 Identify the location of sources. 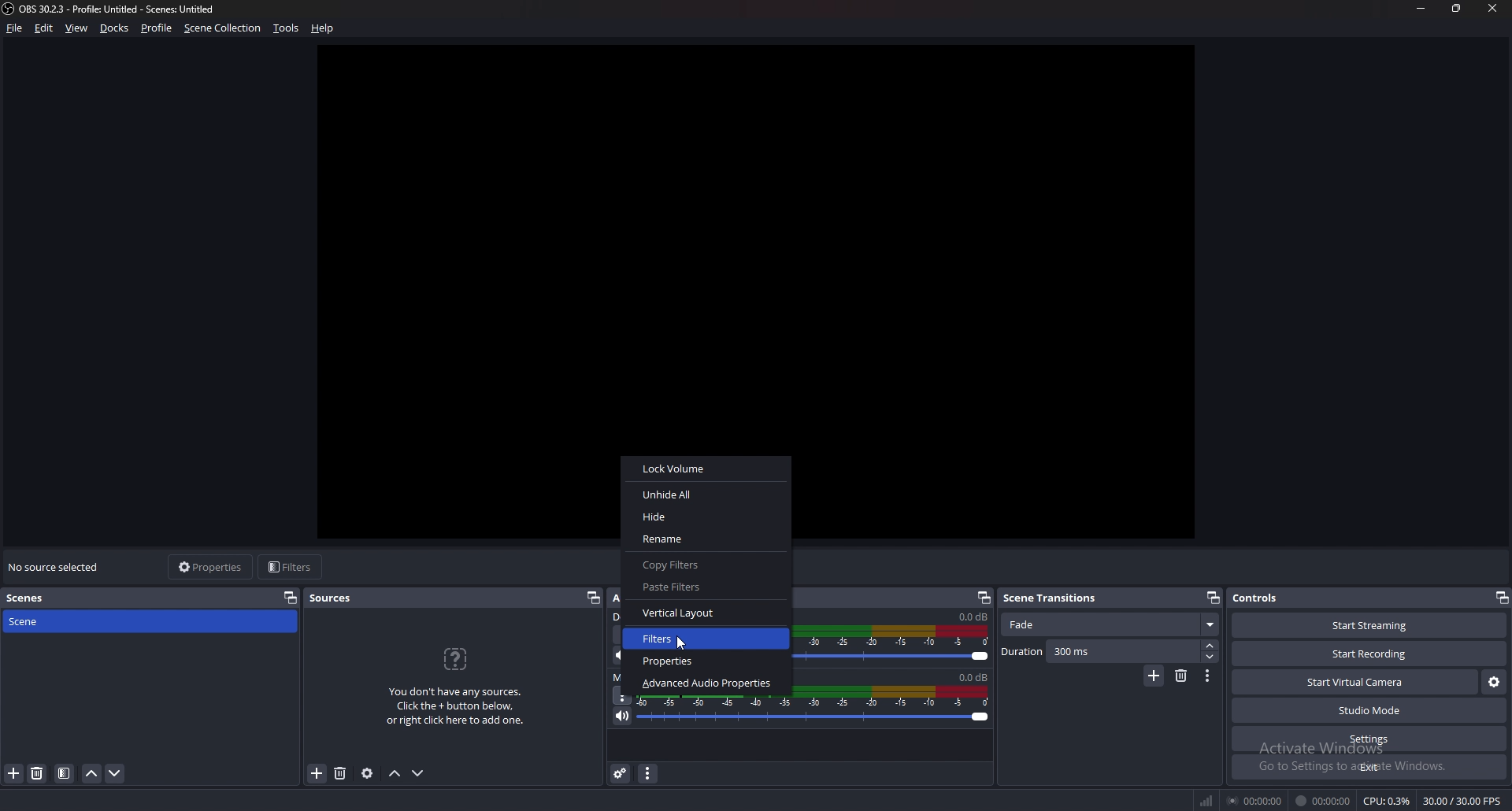
(341, 597).